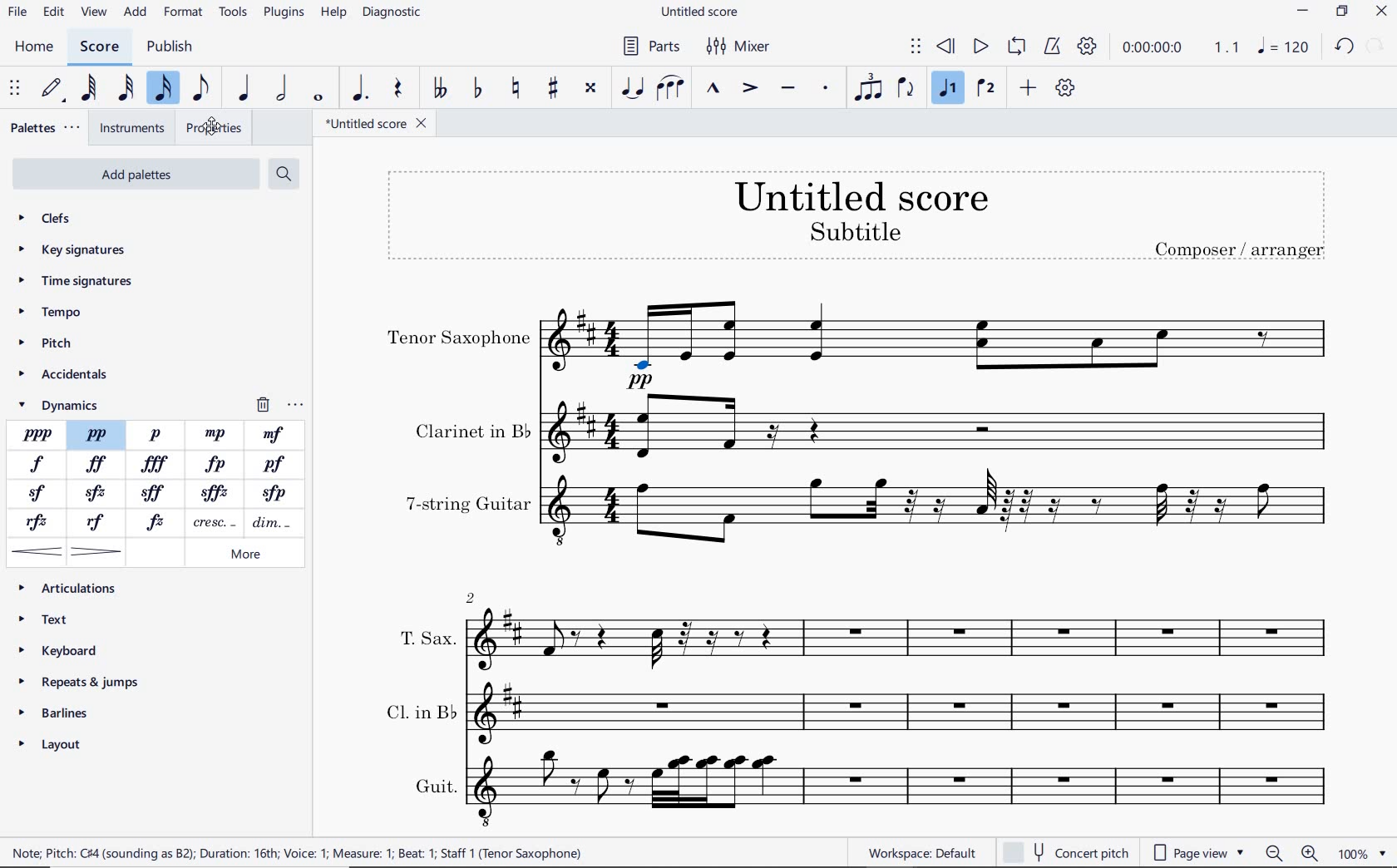 Image resolution: width=1397 pixels, height=868 pixels. What do you see at coordinates (914, 790) in the screenshot?
I see `Guit.` at bounding box center [914, 790].